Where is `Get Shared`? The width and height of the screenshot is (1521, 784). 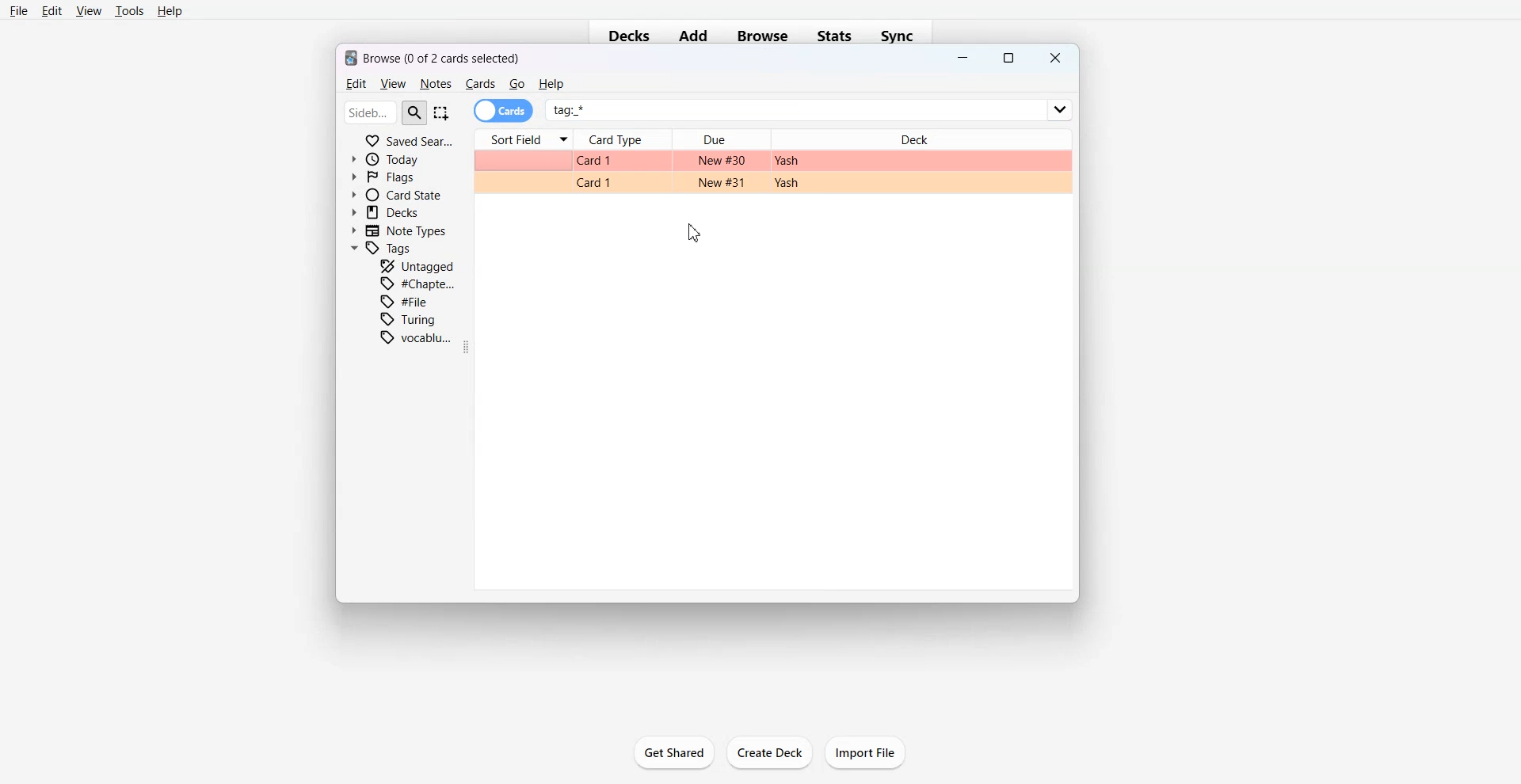 Get Shared is located at coordinates (673, 752).